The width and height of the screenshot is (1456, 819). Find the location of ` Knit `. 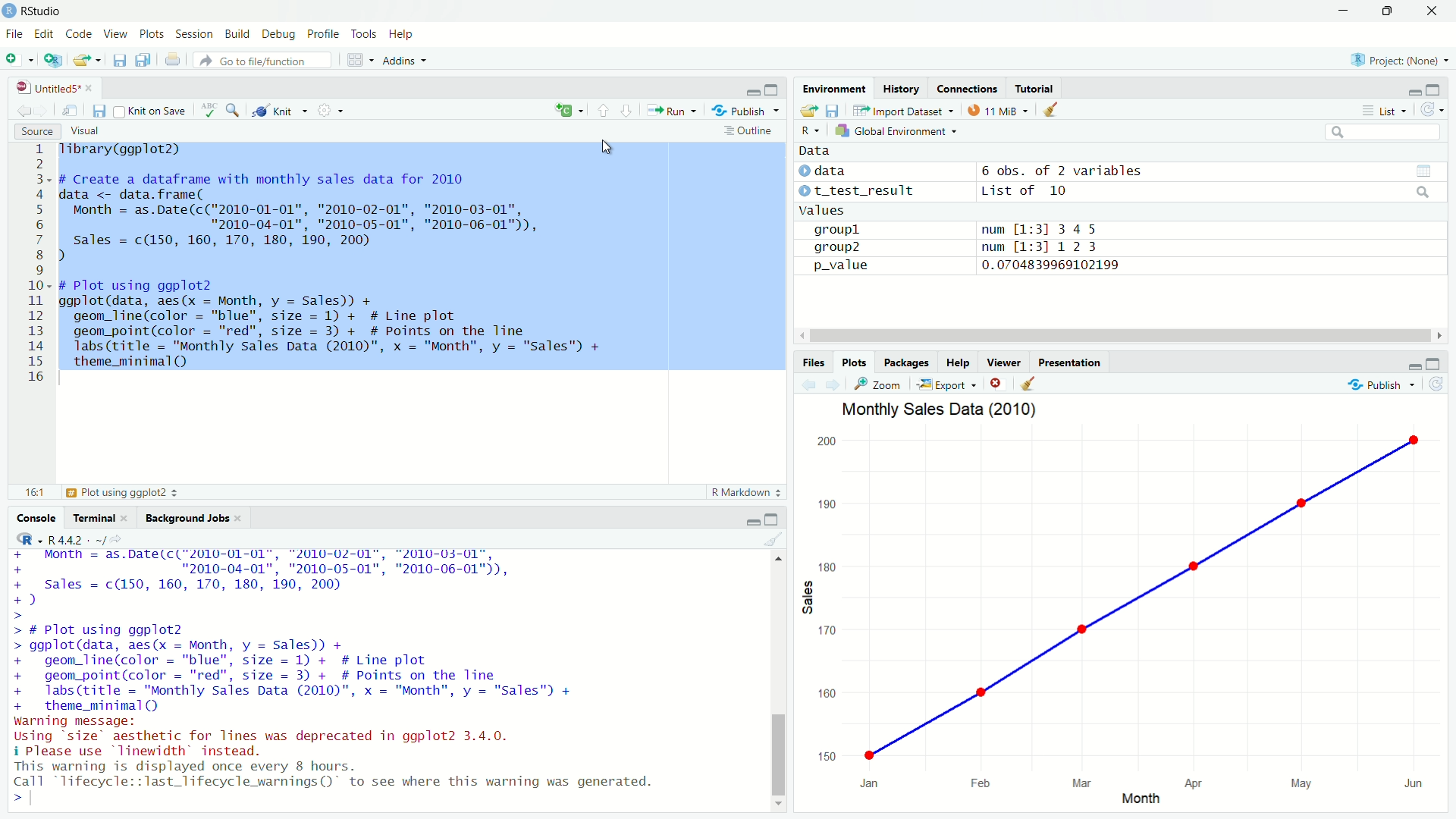

 Knit  is located at coordinates (281, 110).